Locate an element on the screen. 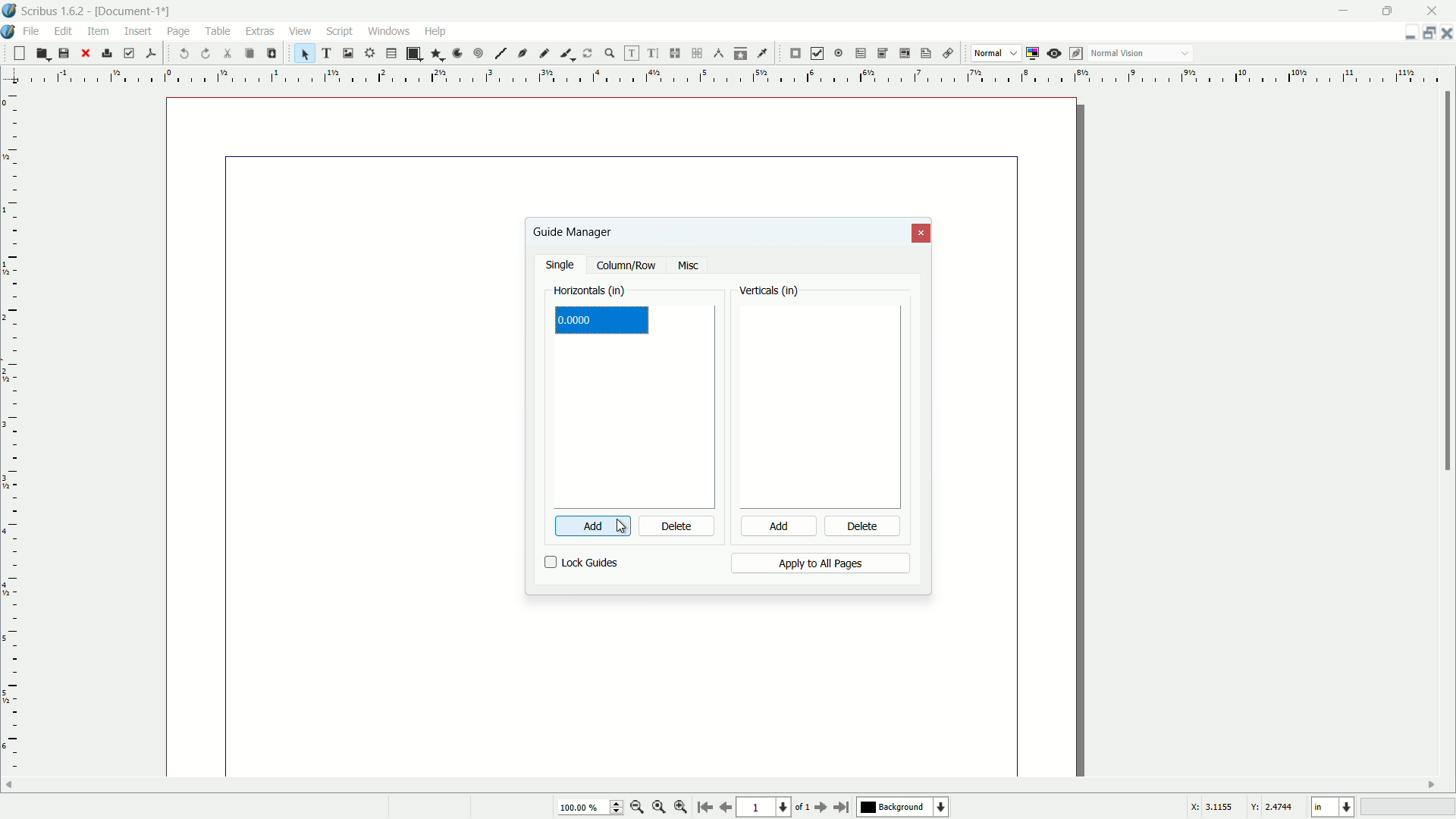 The image size is (1456, 819). edit in preview mode is located at coordinates (1078, 53).